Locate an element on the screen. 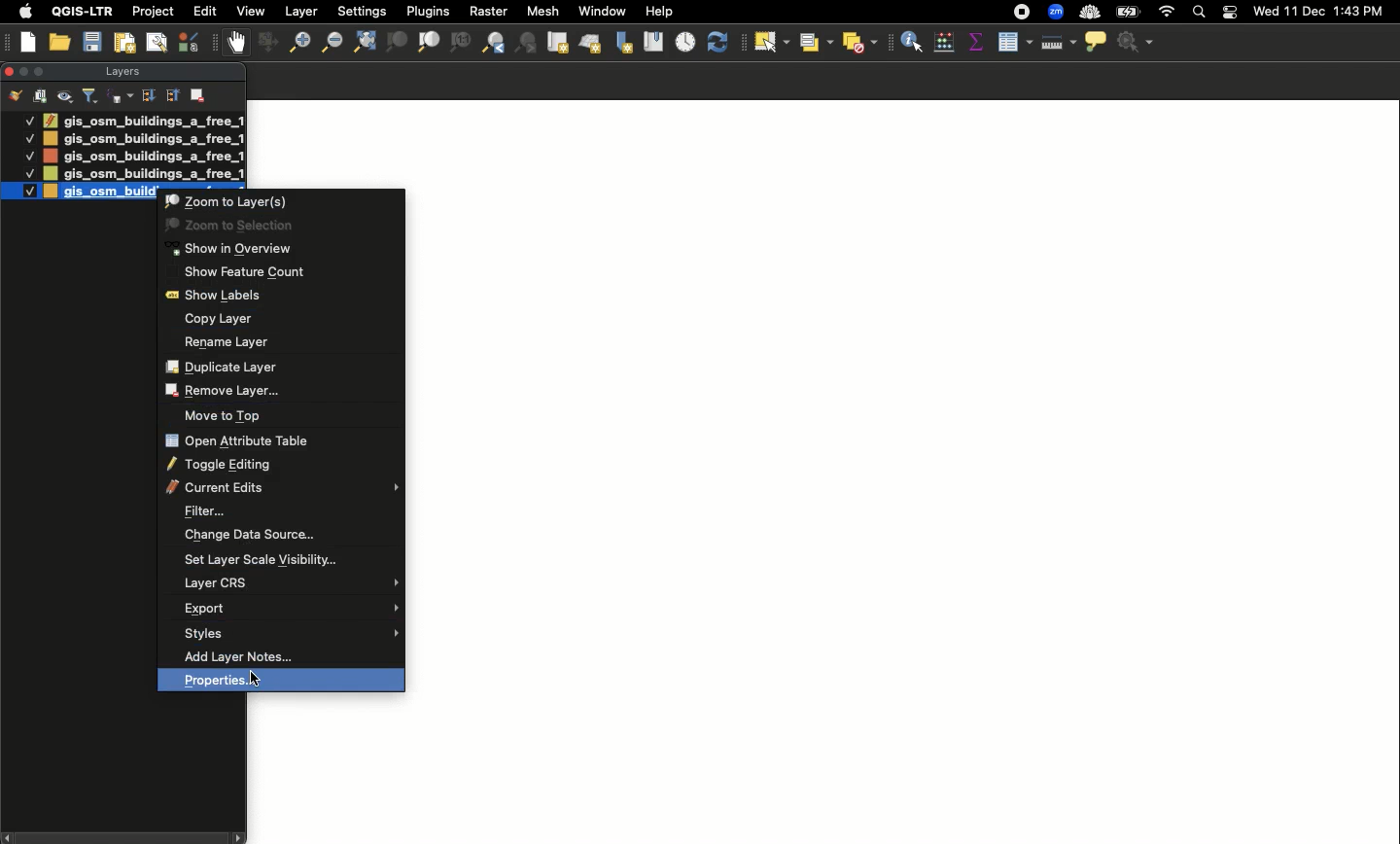 The width and height of the screenshot is (1400, 844). 1:43 PM is located at coordinates (1361, 11).